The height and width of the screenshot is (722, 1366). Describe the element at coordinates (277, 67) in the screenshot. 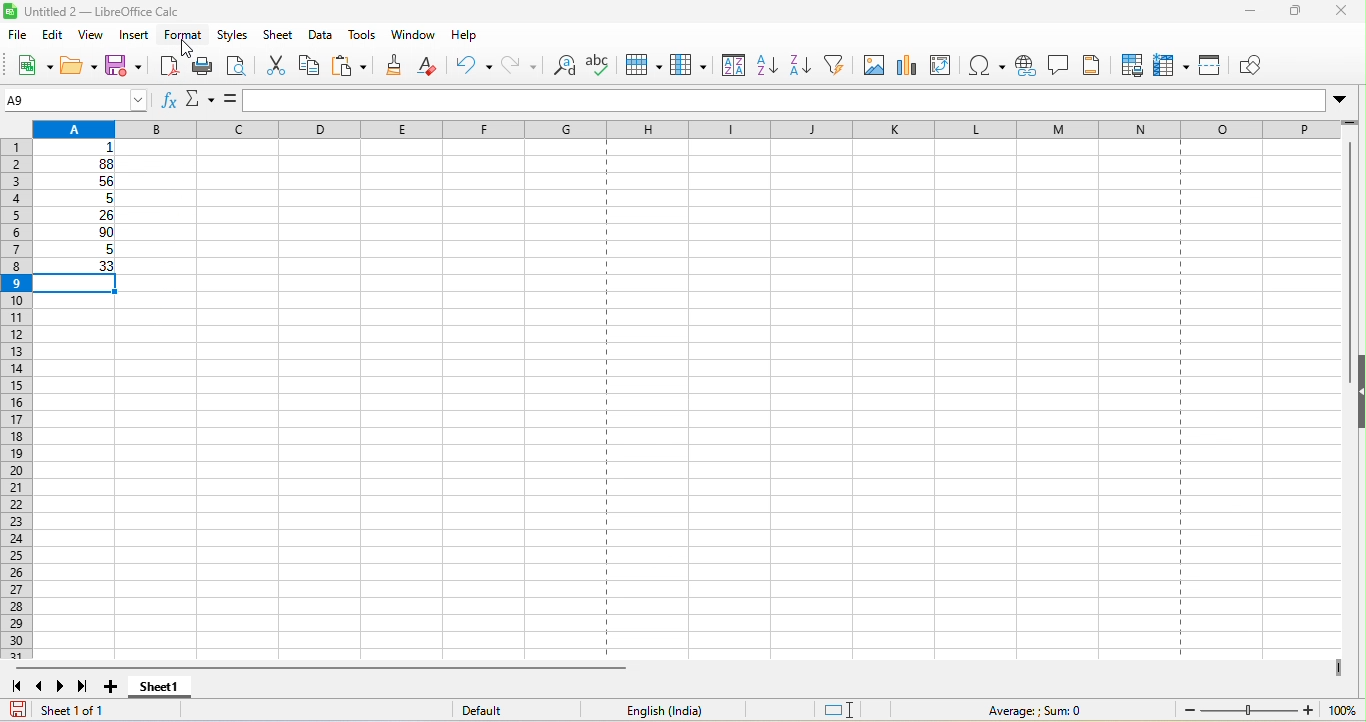

I see `cut` at that location.